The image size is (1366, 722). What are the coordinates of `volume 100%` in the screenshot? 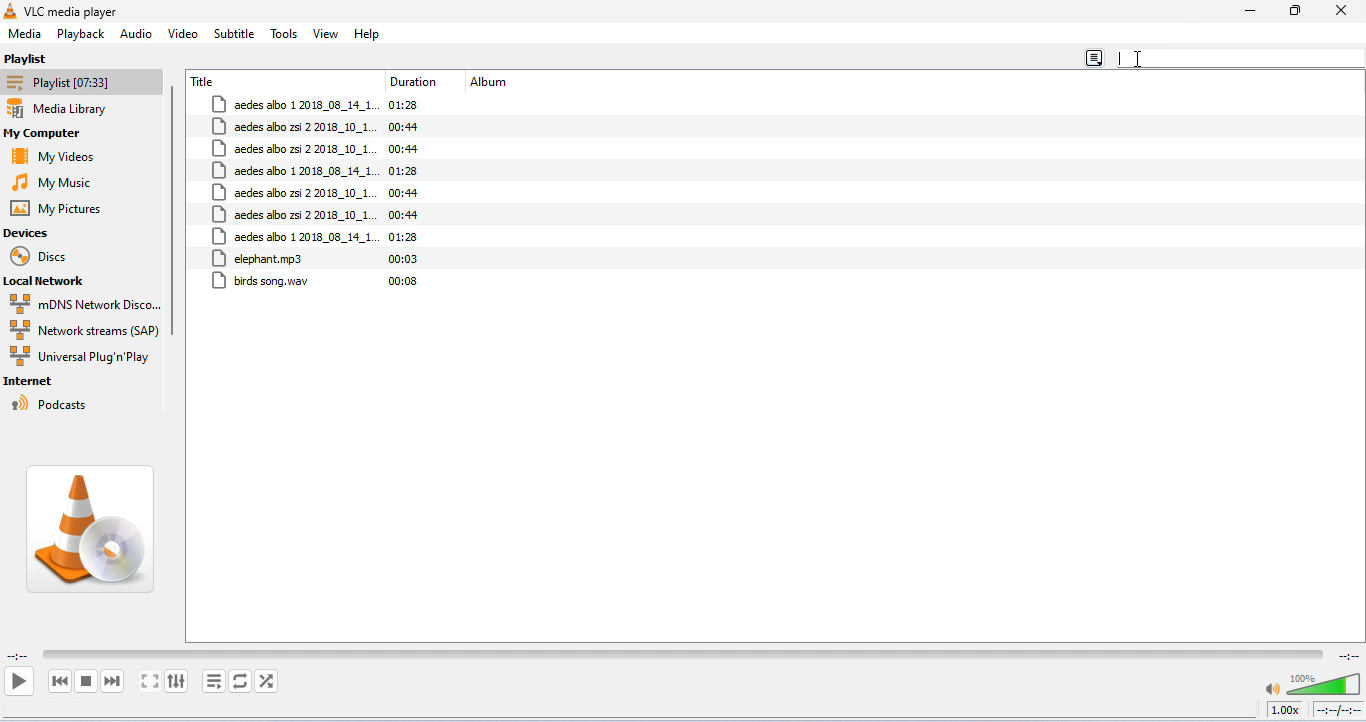 It's located at (1310, 680).